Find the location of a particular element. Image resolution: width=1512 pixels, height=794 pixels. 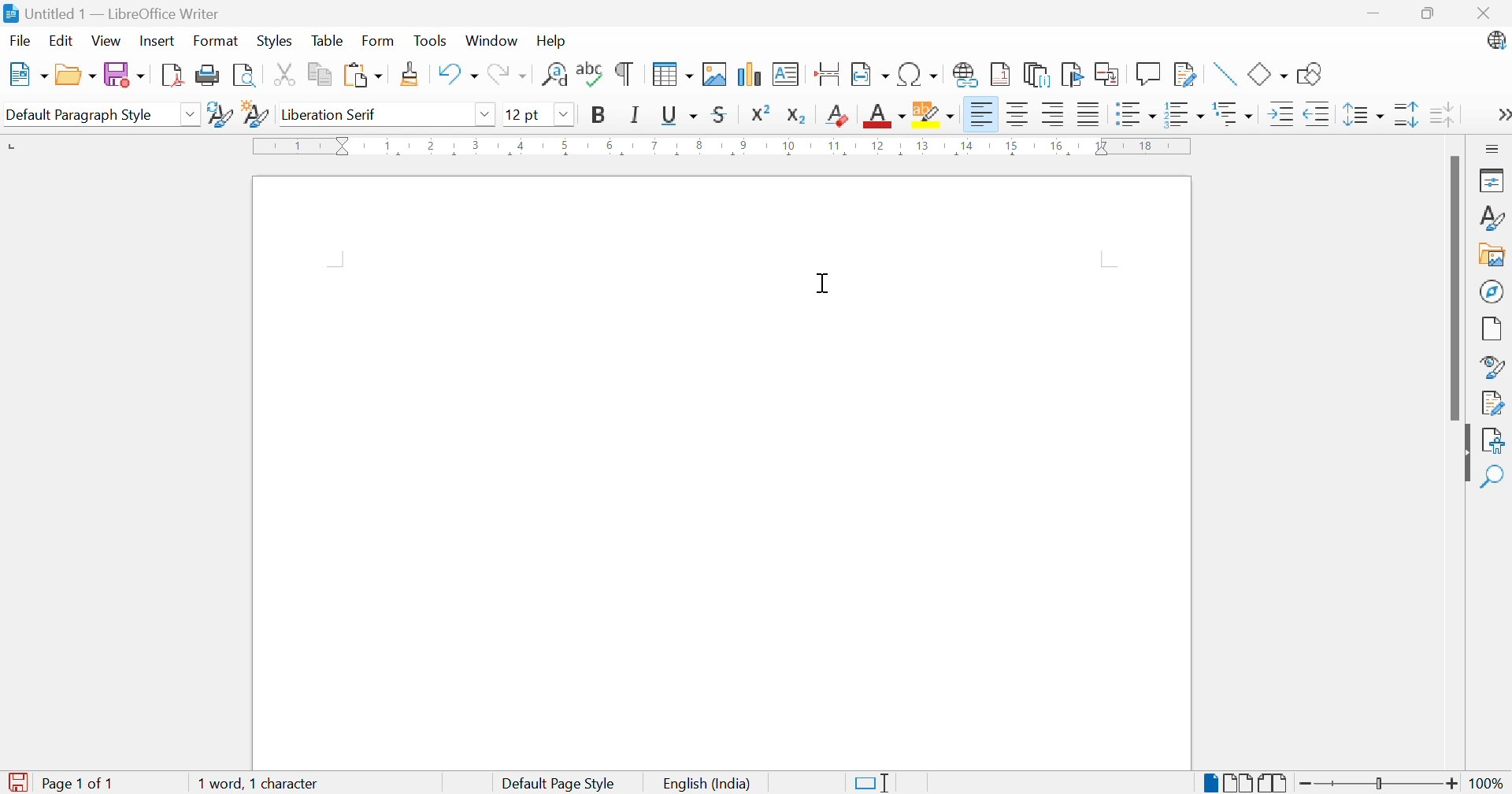

Styles is located at coordinates (273, 42).